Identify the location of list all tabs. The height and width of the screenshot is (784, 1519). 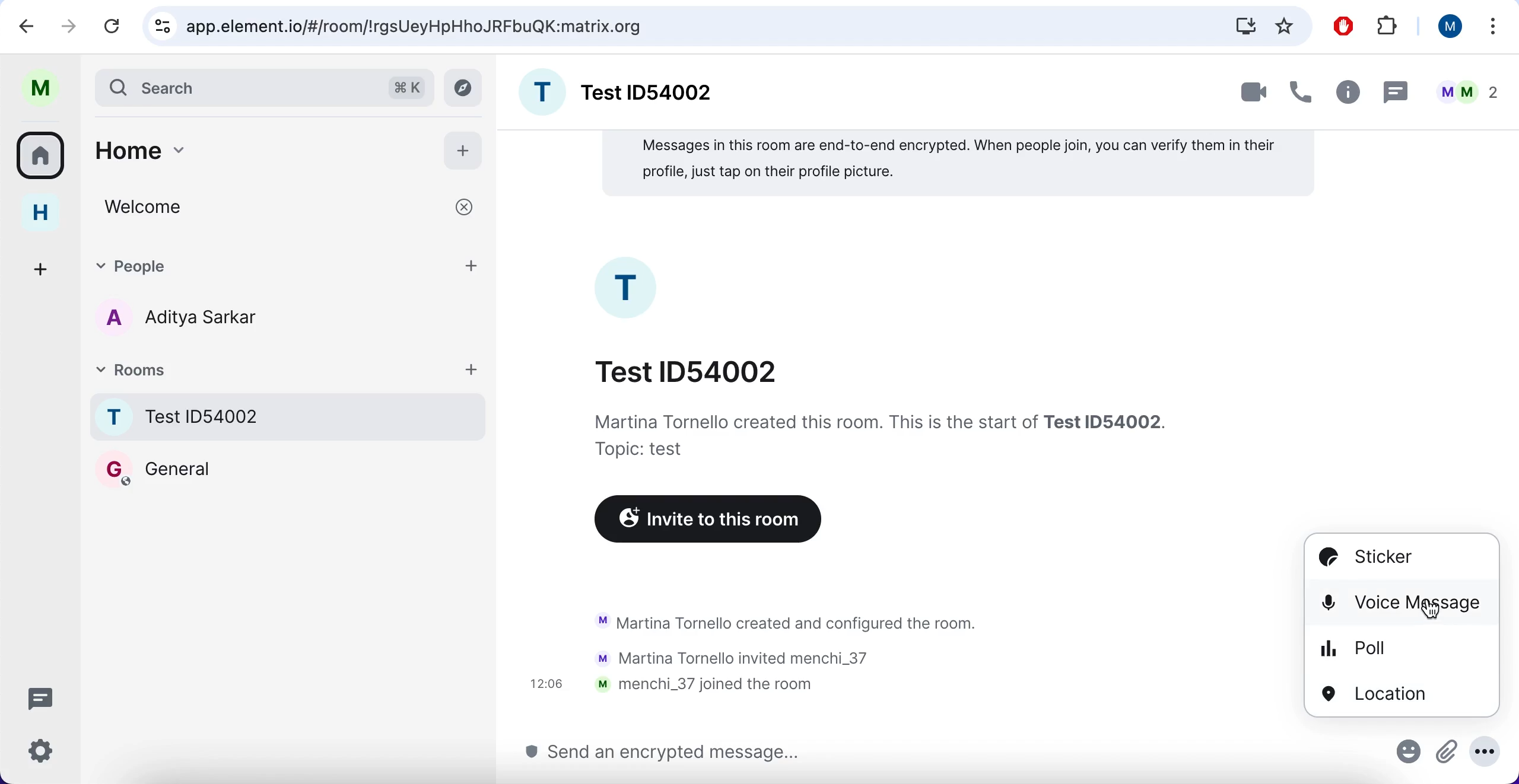
(1494, 26).